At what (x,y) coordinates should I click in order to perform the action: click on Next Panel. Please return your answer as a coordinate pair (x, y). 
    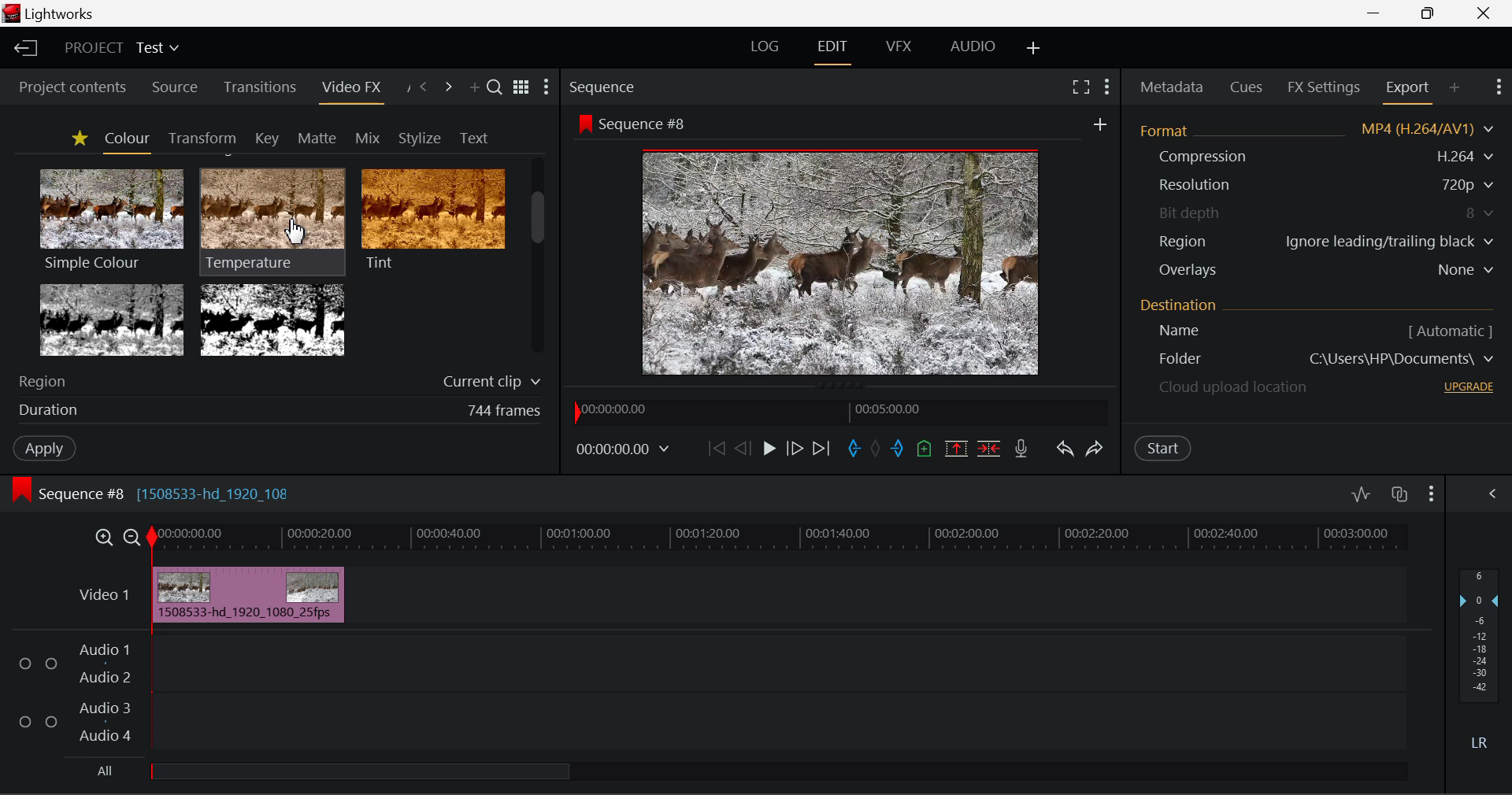
    Looking at the image, I should click on (448, 86).